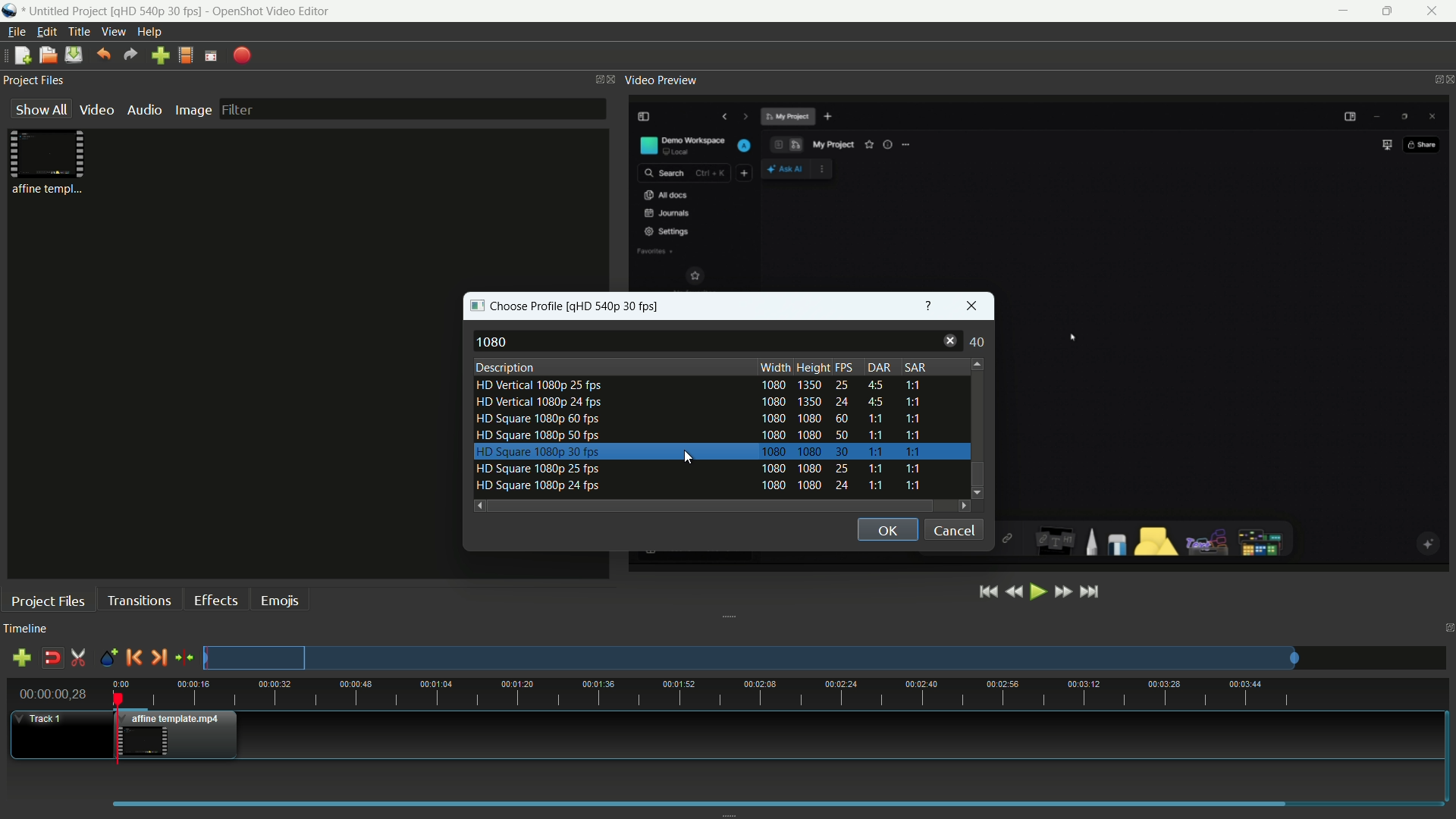 Image resolution: width=1456 pixels, height=819 pixels. Describe the element at coordinates (688, 459) in the screenshot. I see `cursor` at that location.